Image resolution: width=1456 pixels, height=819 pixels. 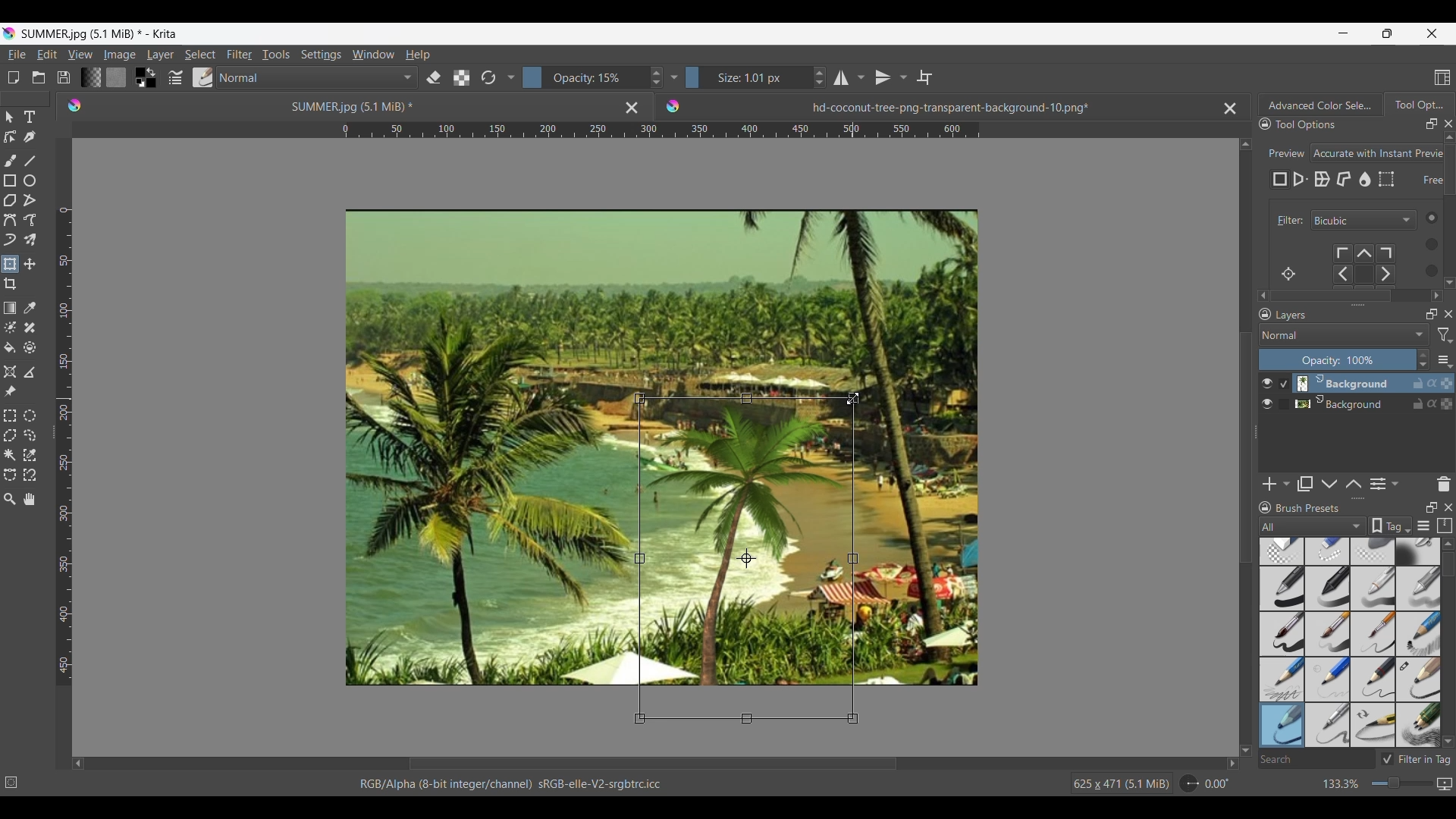 What do you see at coordinates (372, 54) in the screenshot?
I see `Window` at bounding box center [372, 54].